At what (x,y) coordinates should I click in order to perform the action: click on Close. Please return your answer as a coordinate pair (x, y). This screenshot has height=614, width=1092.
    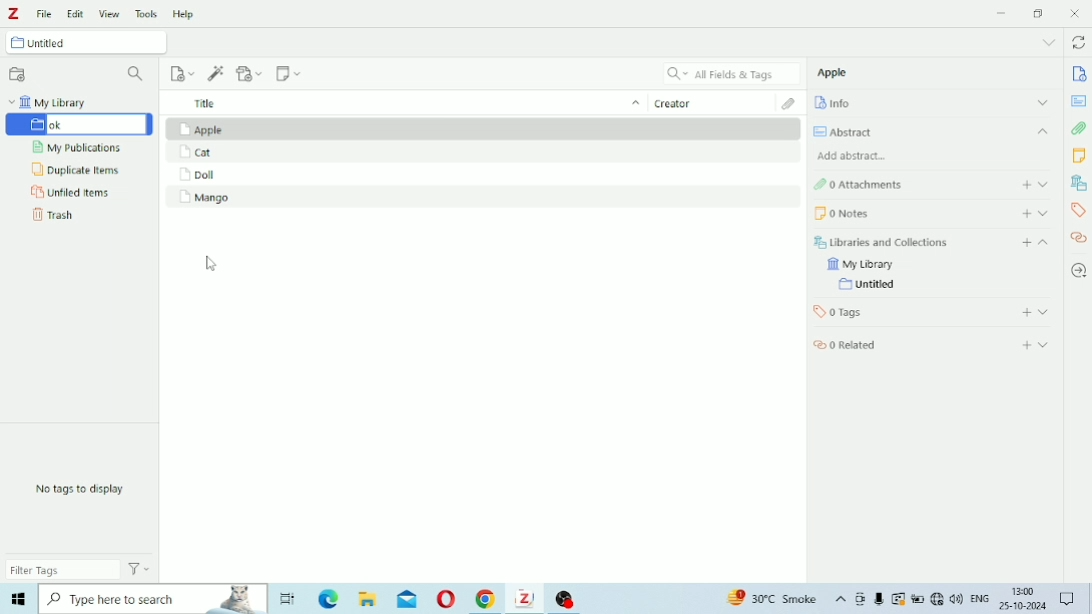
    Looking at the image, I should click on (1075, 14).